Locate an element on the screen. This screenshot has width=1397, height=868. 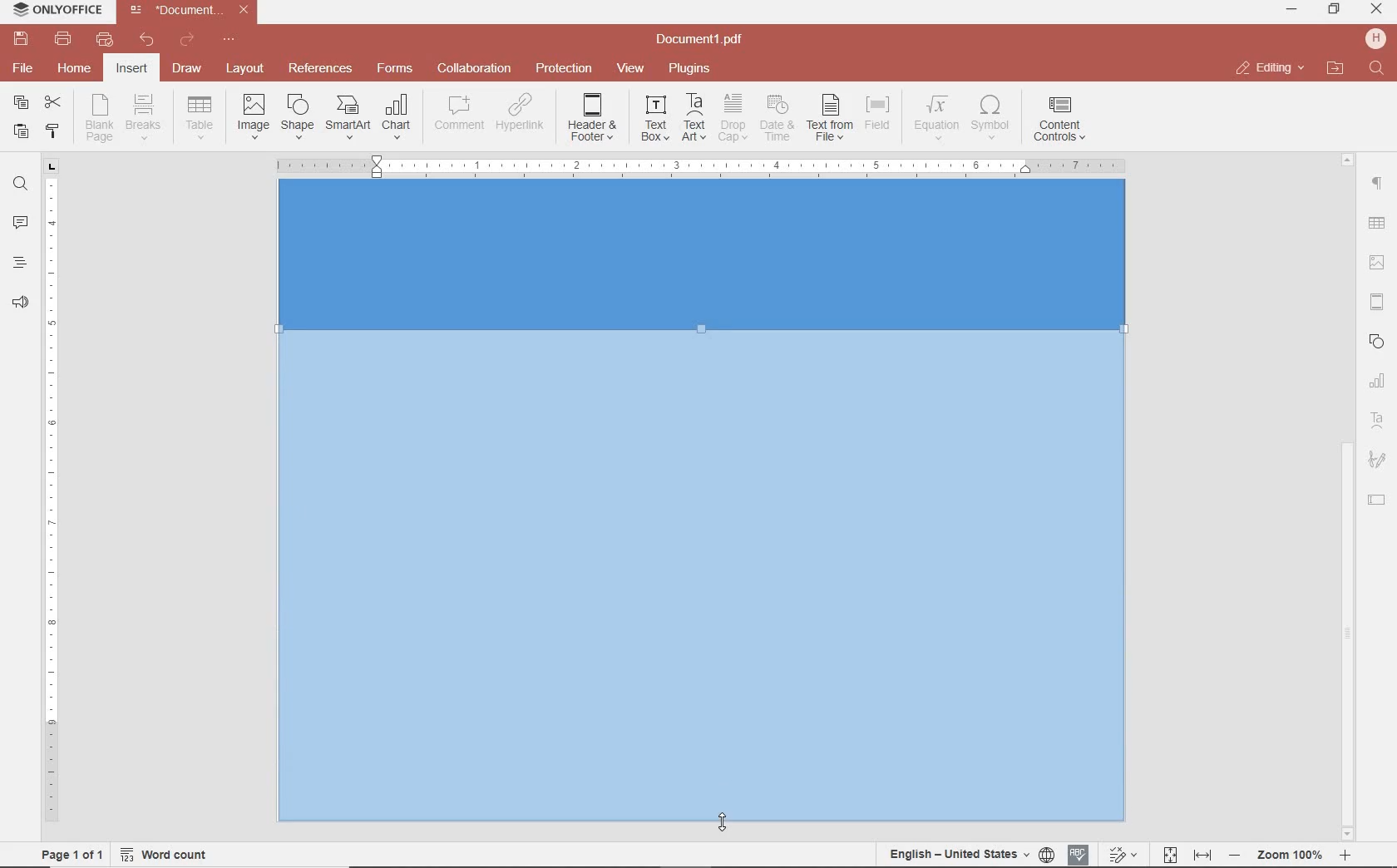
reference is located at coordinates (318, 69).